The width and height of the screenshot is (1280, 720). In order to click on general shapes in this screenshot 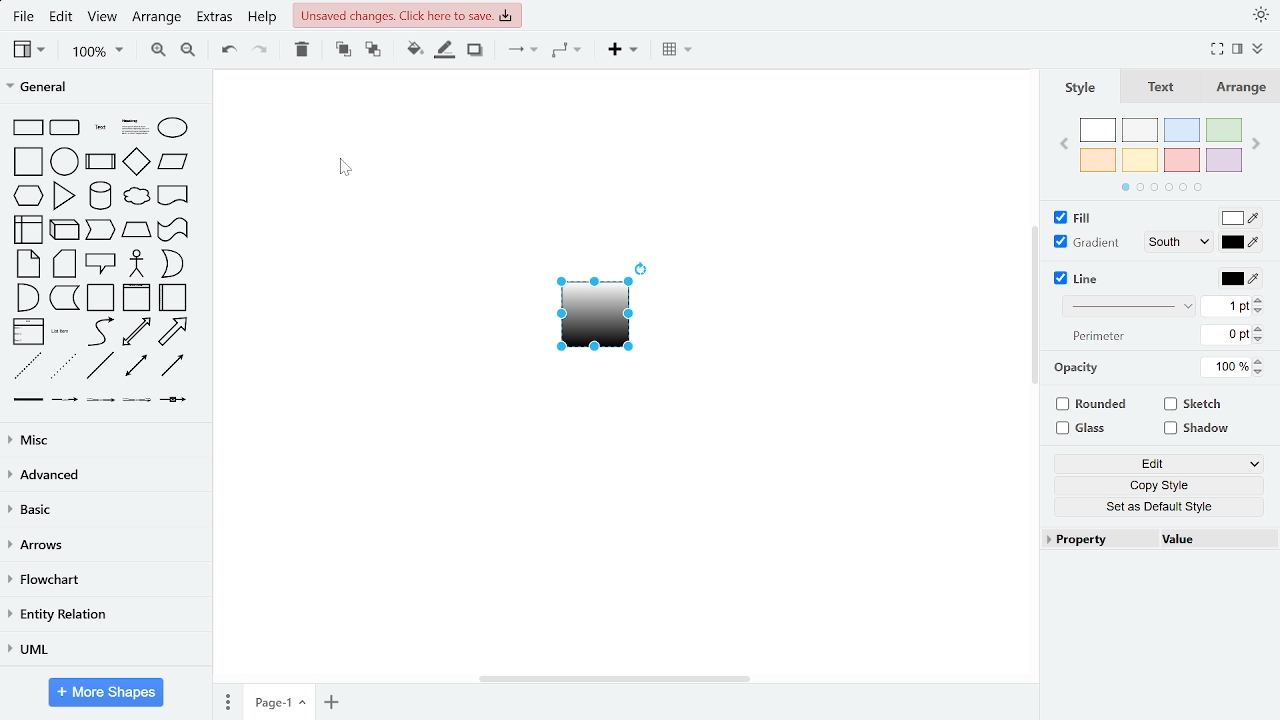, I will do `click(170, 366)`.